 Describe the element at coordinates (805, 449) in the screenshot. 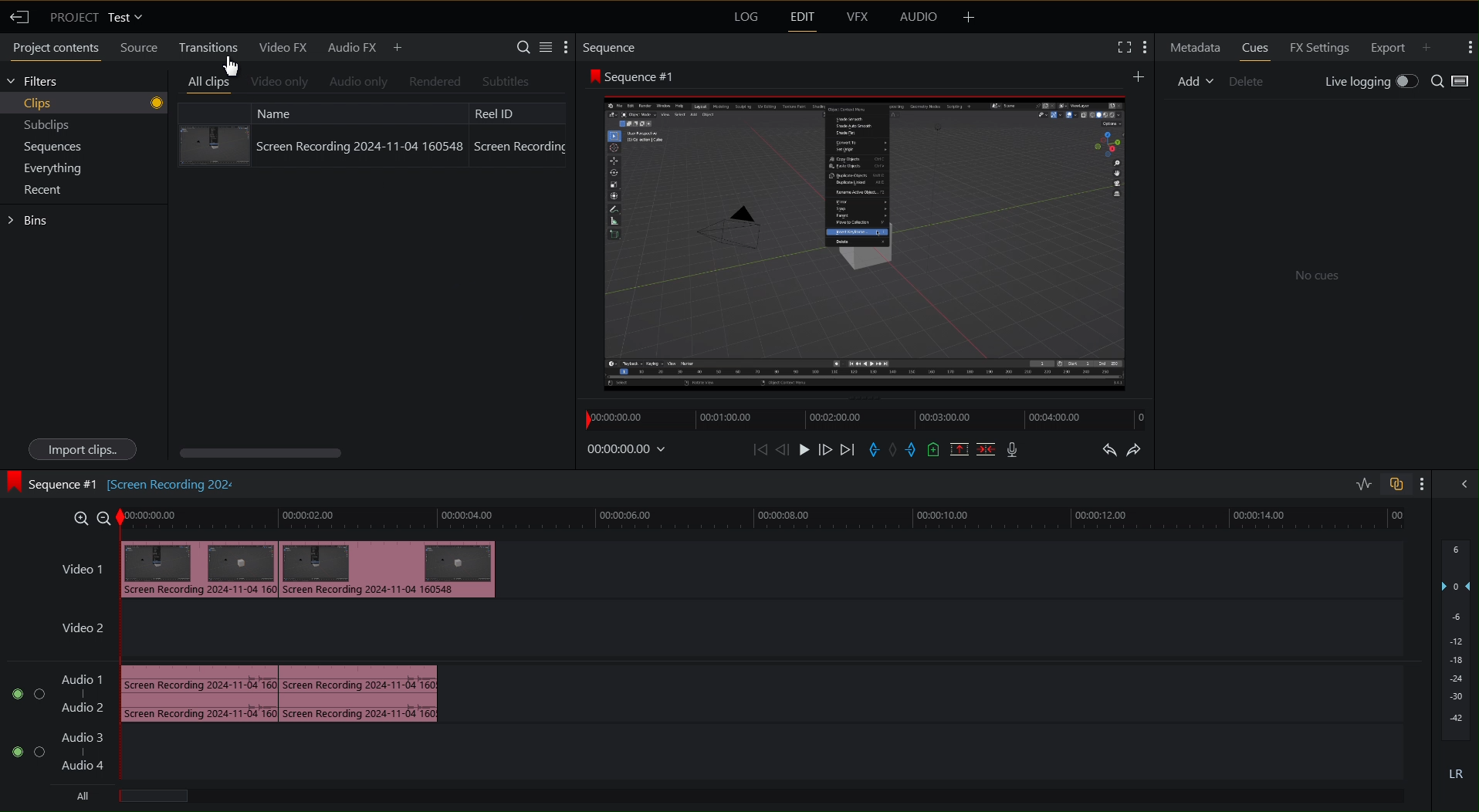

I see `Play` at that location.